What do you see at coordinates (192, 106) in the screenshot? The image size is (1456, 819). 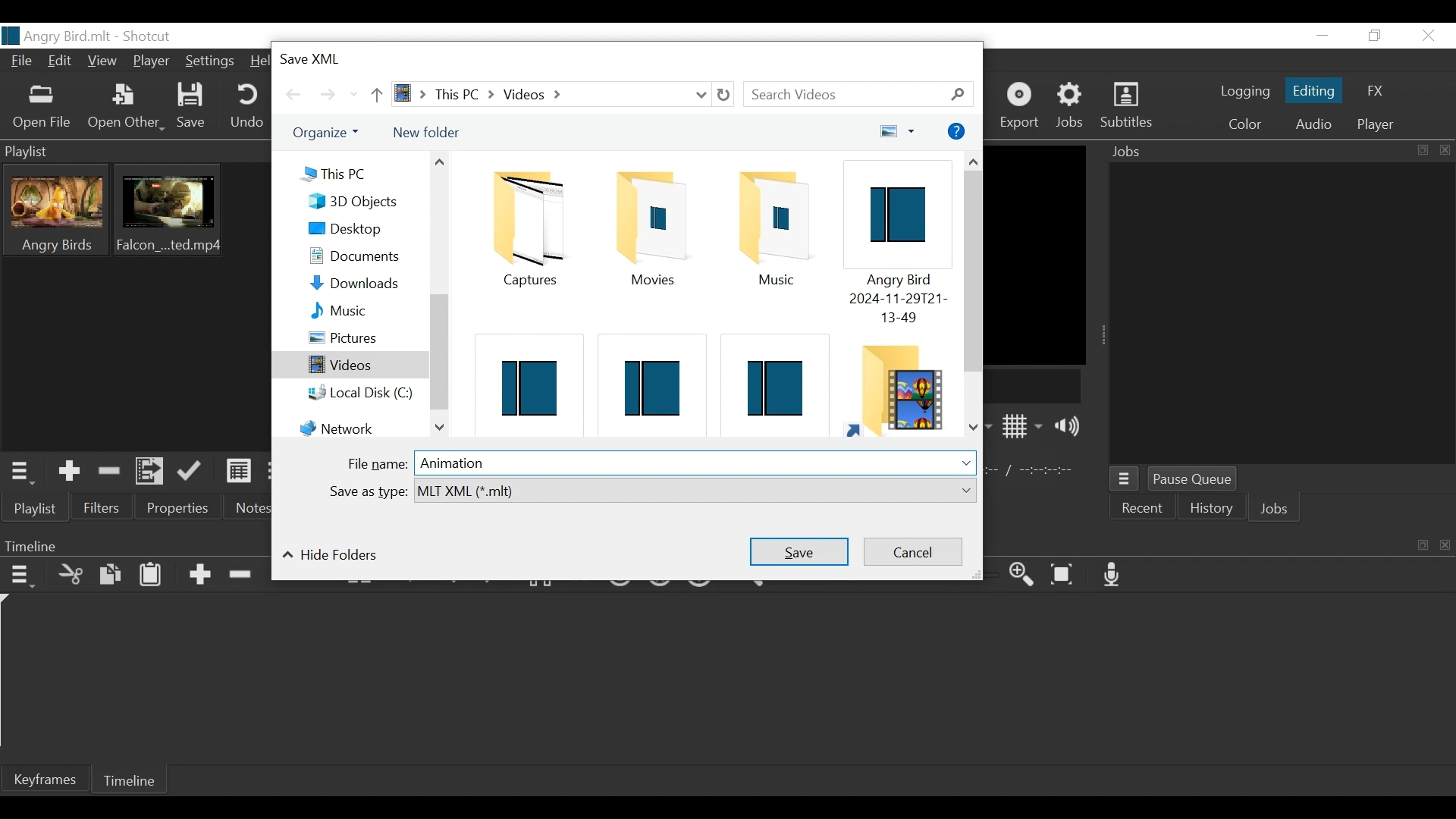 I see `Save` at bounding box center [192, 106].